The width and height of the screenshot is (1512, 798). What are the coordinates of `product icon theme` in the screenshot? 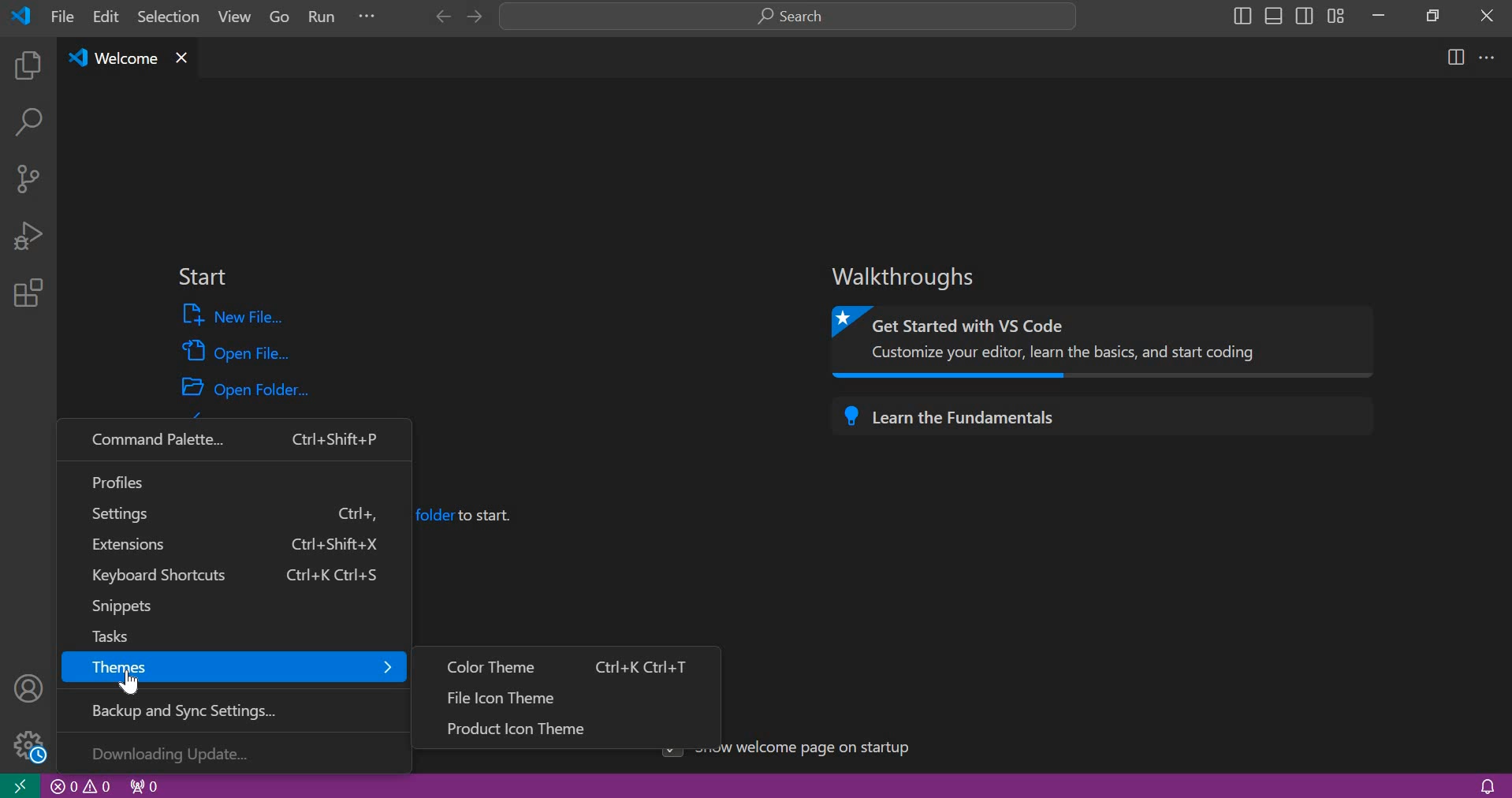 It's located at (569, 728).